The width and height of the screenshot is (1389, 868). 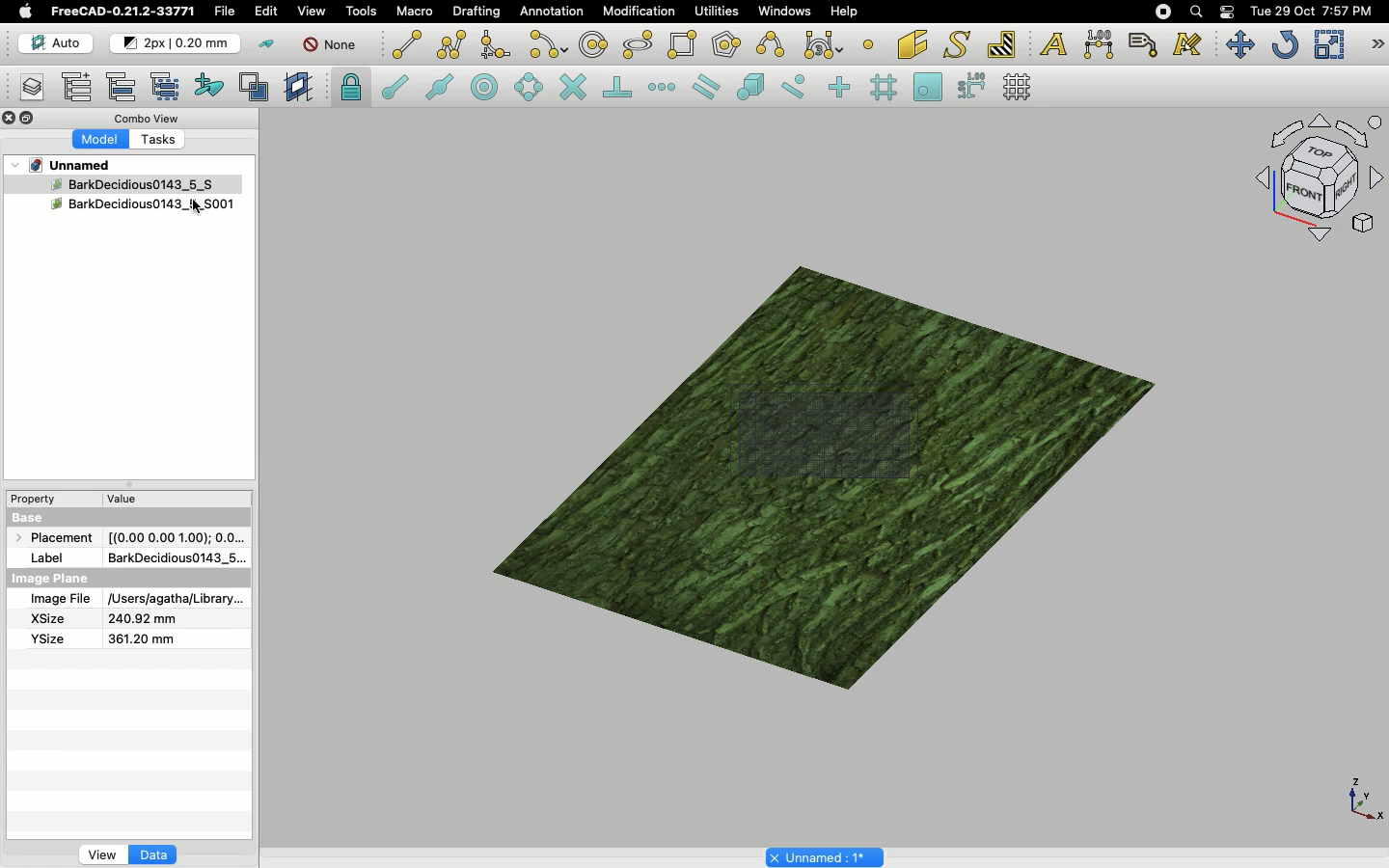 I want to click on XSize, so click(x=48, y=619).